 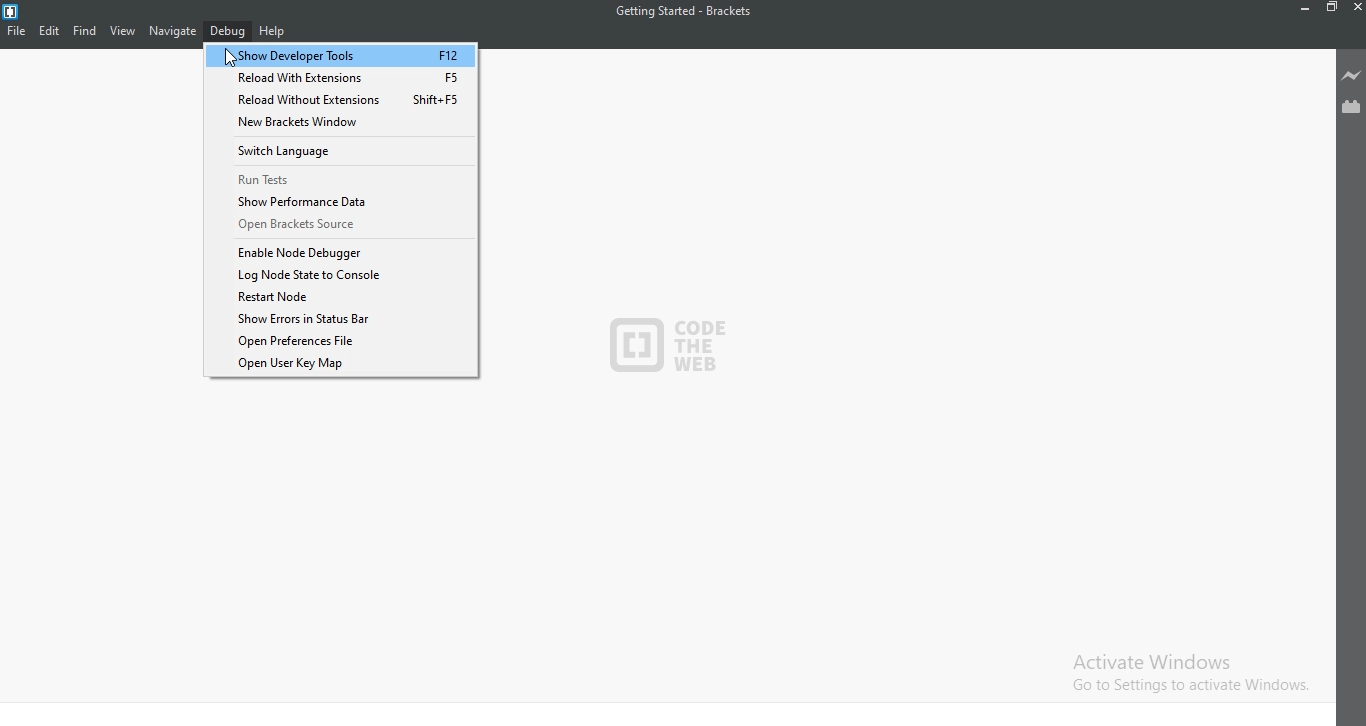 What do you see at coordinates (337, 101) in the screenshot?
I see `Reload Without Extensions` at bounding box center [337, 101].